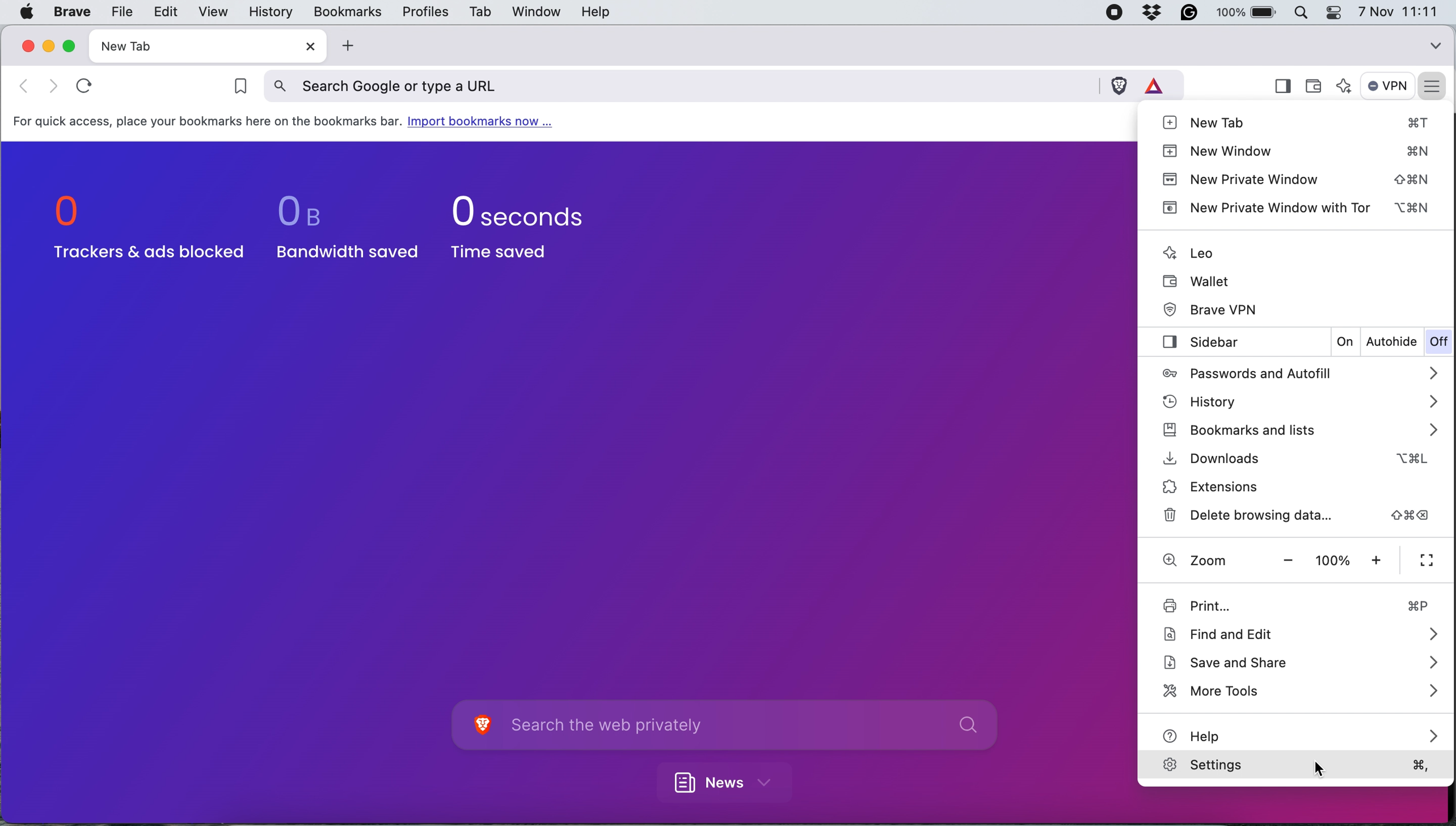 This screenshot has height=826, width=1456. I want to click on Brave customize list, so click(480, 726).